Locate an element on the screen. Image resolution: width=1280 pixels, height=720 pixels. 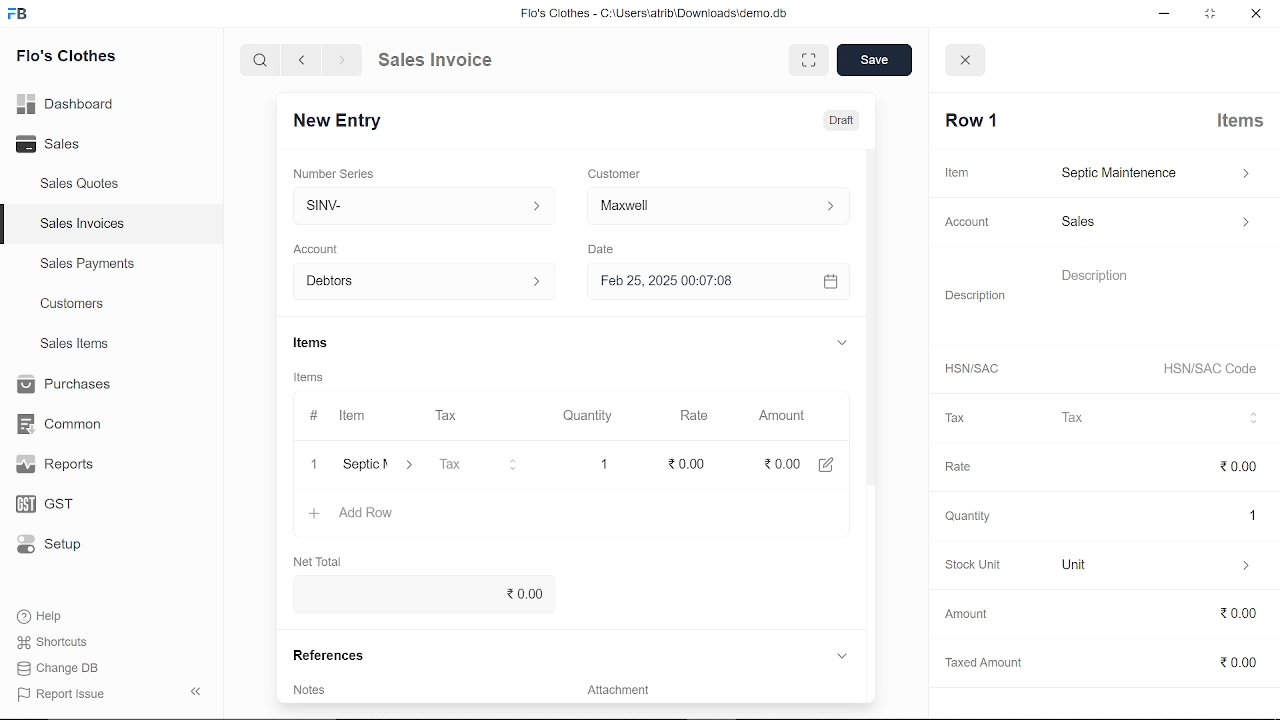
Customers is located at coordinates (74, 303).